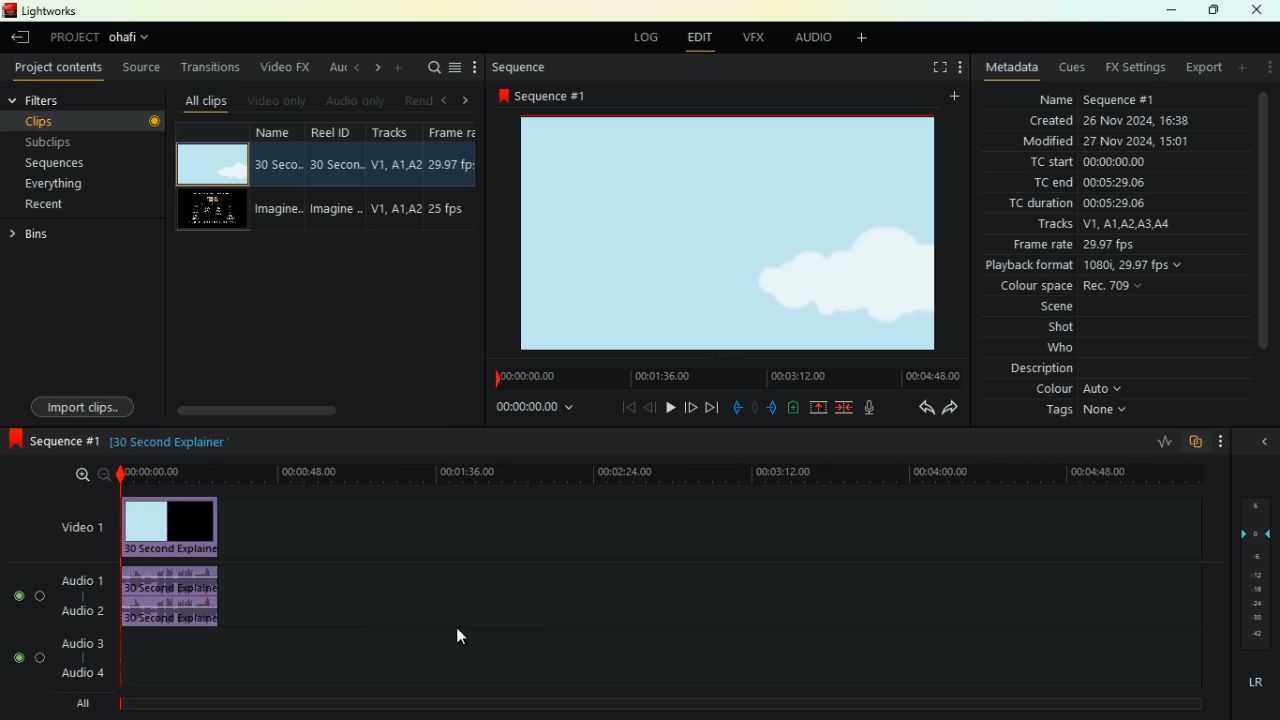 The width and height of the screenshot is (1280, 720). What do you see at coordinates (641, 38) in the screenshot?
I see `log` at bounding box center [641, 38].